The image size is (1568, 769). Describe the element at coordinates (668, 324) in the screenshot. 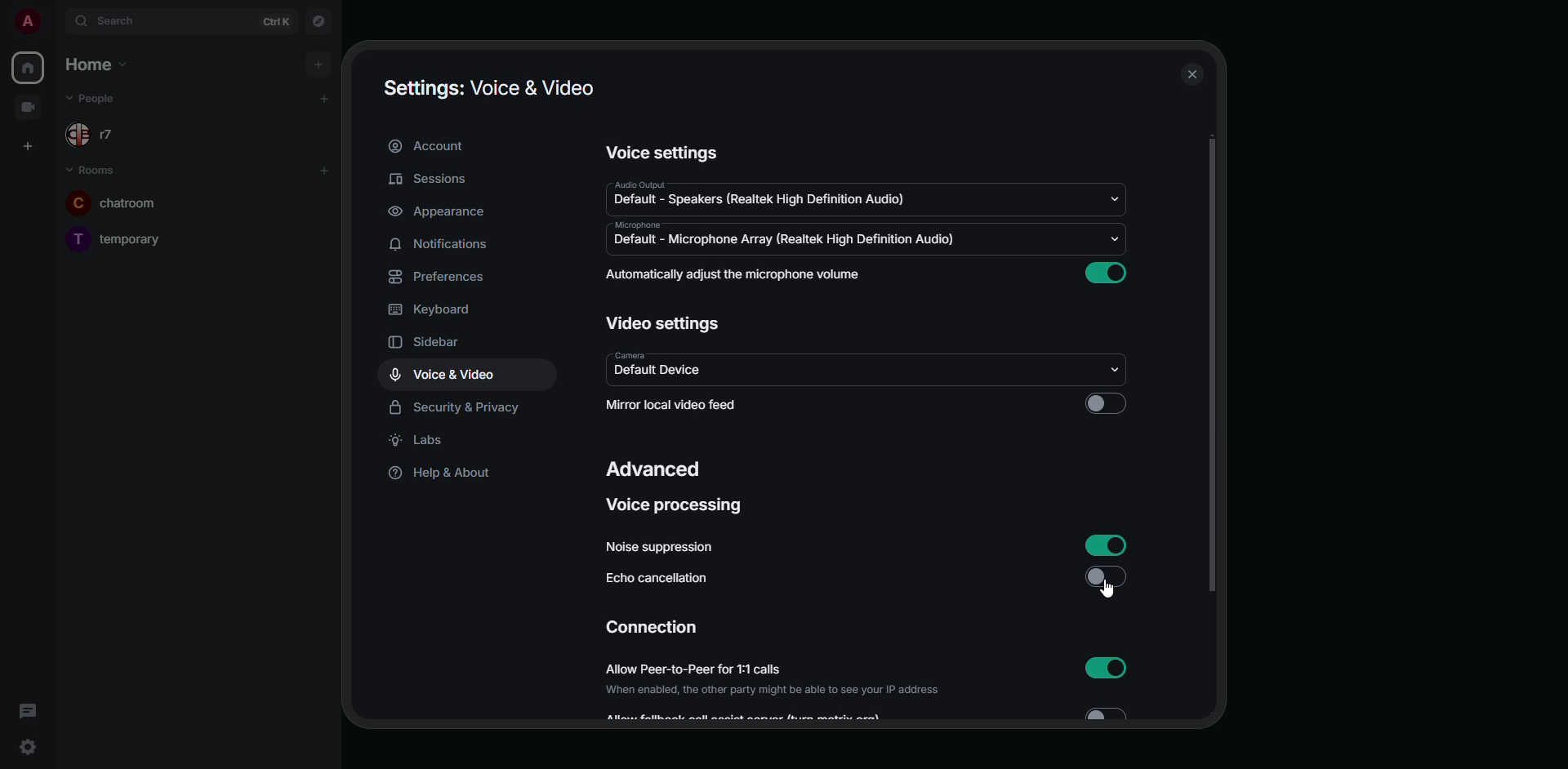

I see `video settings` at that location.